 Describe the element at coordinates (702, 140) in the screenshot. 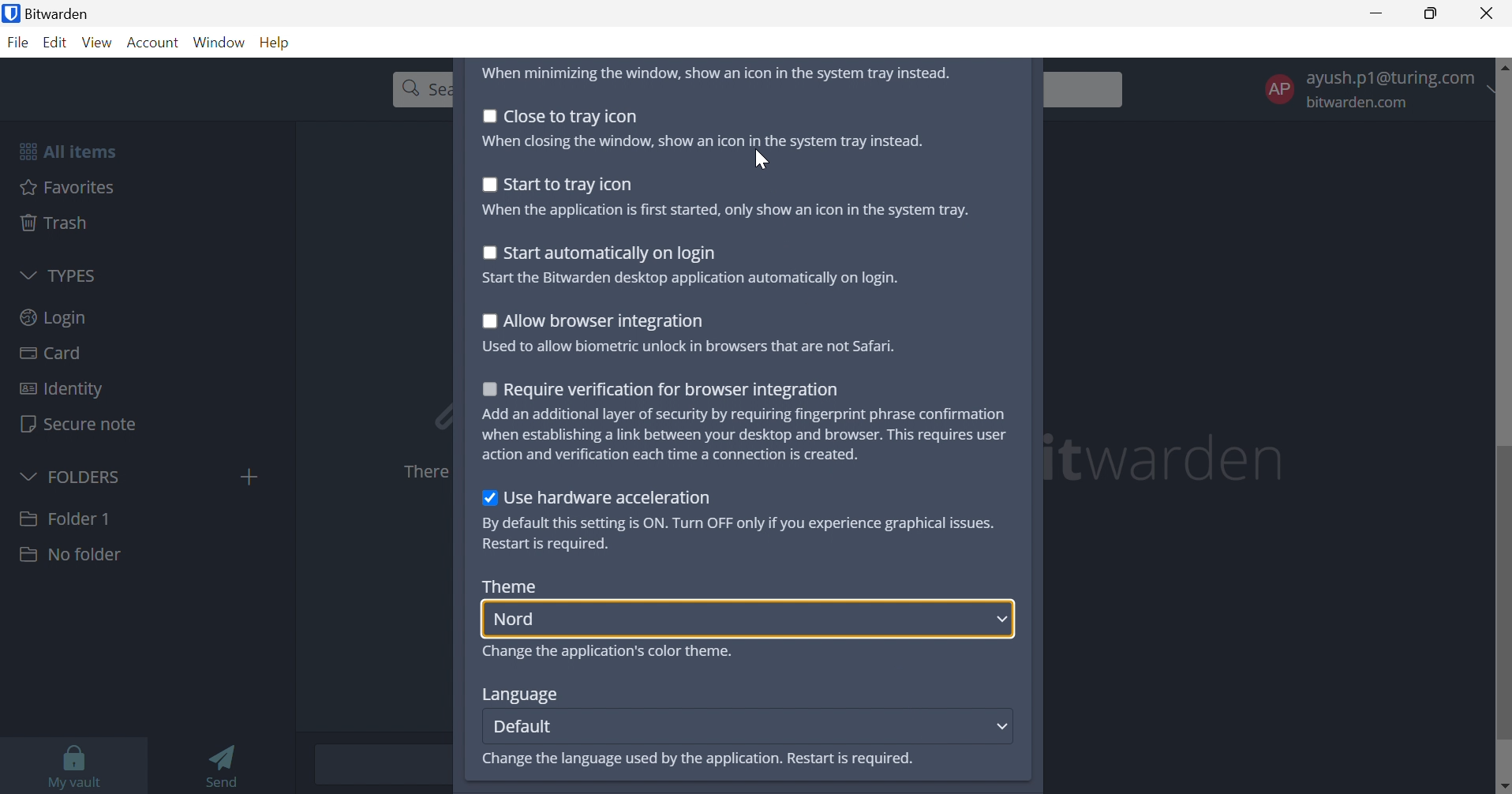

I see `When closing the window show an icon in the system tray instead` at that location.